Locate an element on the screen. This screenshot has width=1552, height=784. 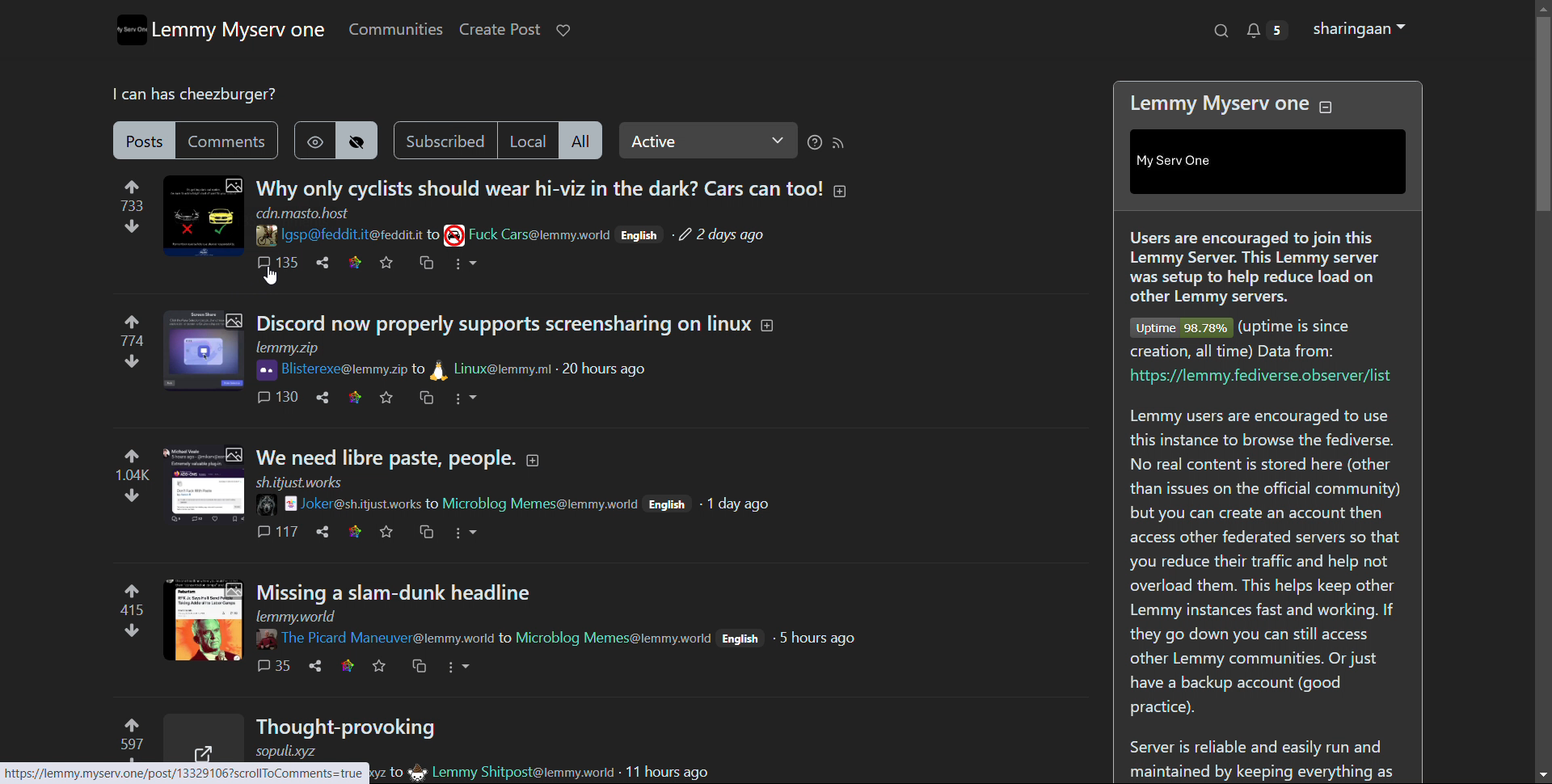
favorites is located at coordinates (388, 531).